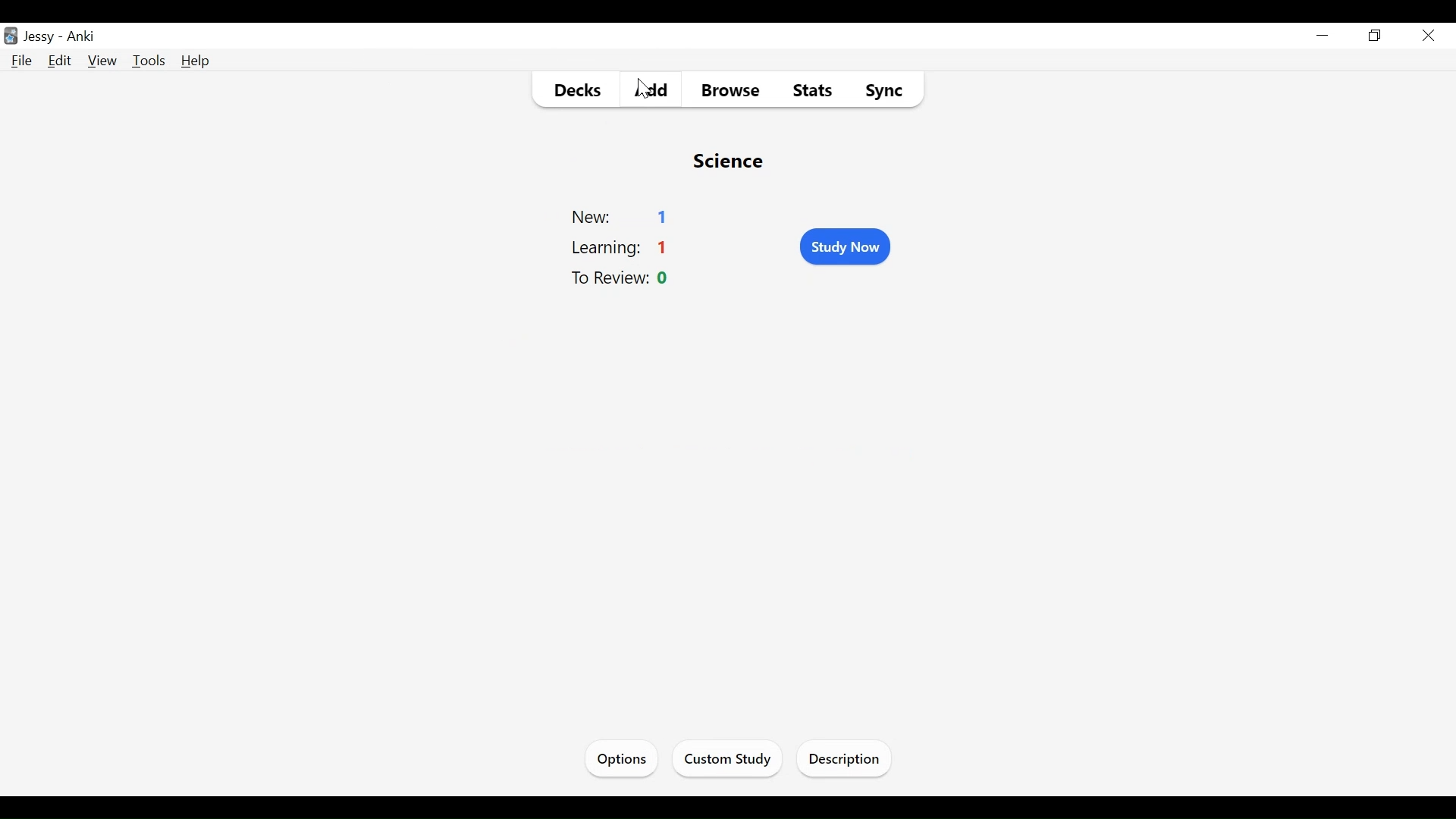 The width and height of the screenshot is (1456, 819). Describe the element at coordinates (622, 278) in the screenshot. I see `To Review Count` at that location.